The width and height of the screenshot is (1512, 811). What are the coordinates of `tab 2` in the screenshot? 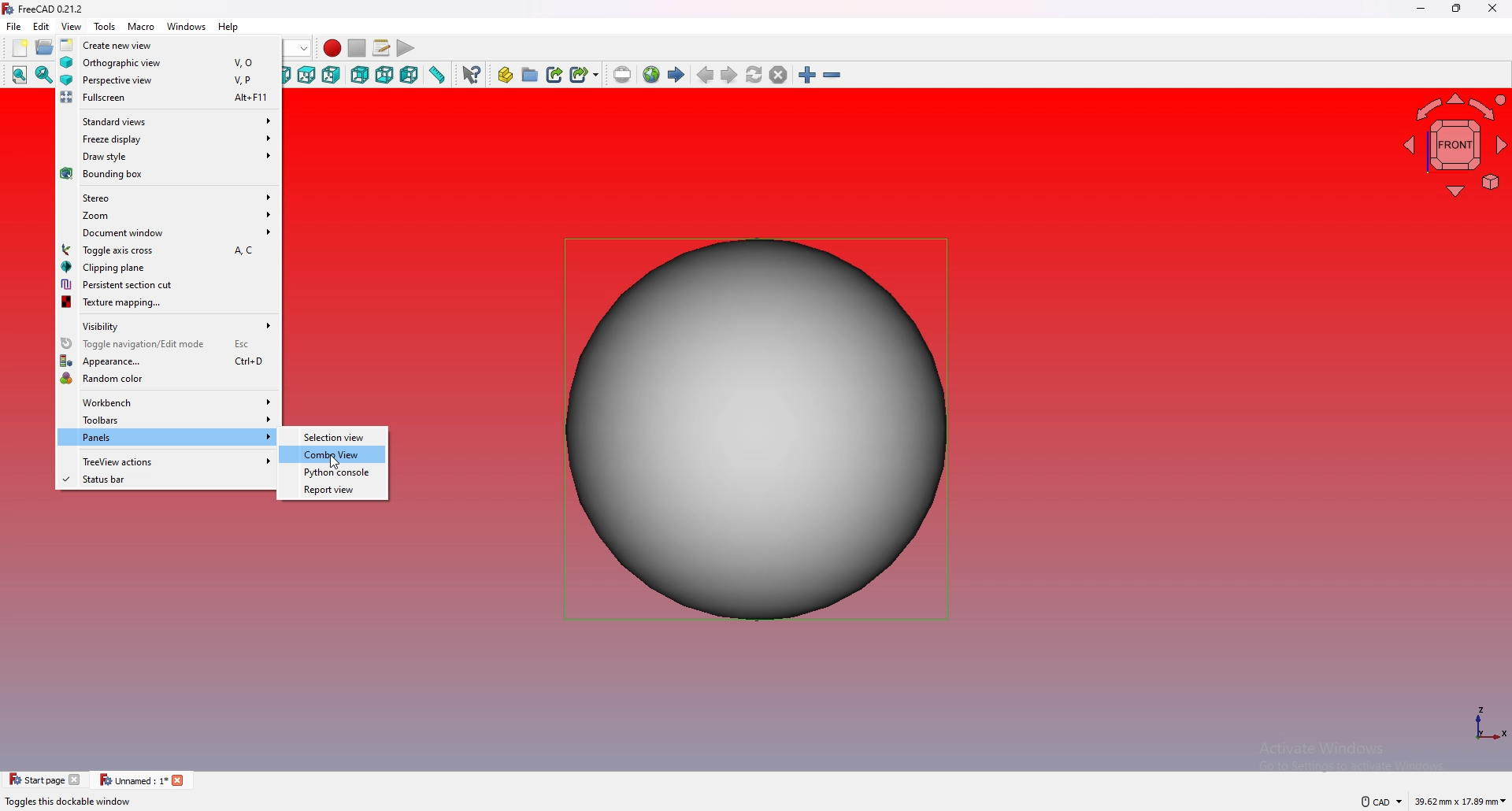 It's located at (143, 781).